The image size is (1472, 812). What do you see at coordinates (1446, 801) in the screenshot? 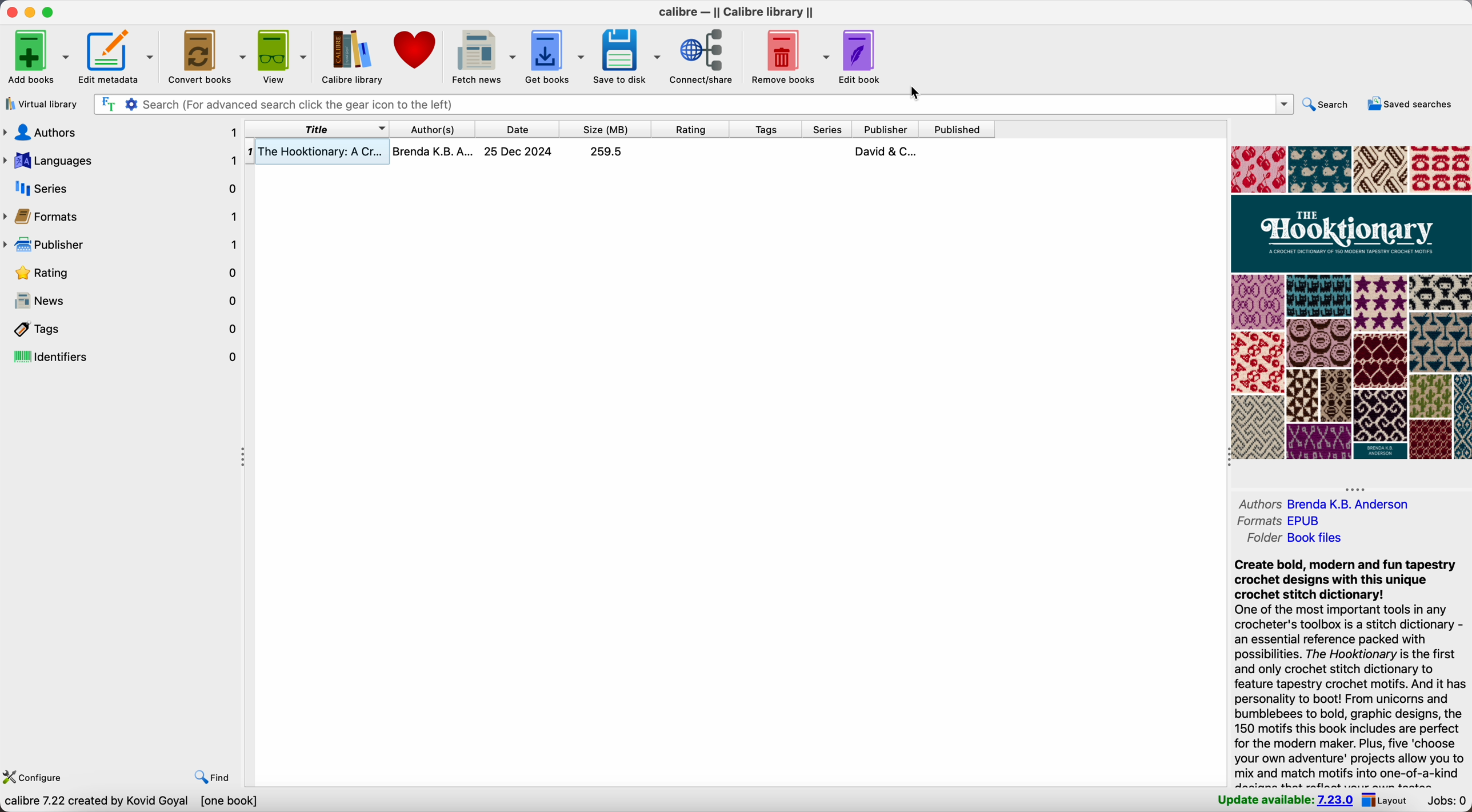
I see `Jobs: 0` at bounding box center [1446, 801].